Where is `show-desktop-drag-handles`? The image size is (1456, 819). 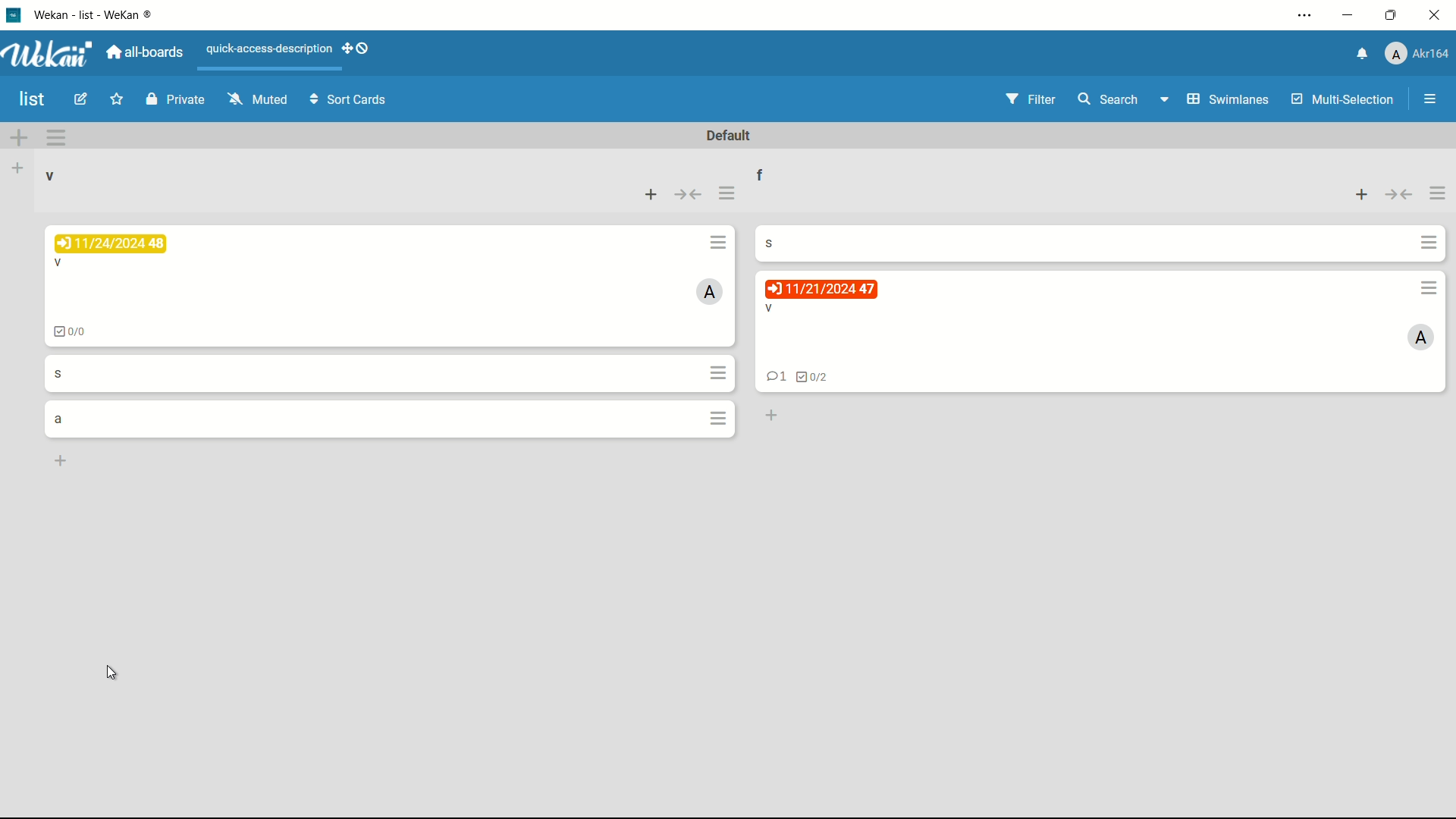
show-desktop-drag-handles is located at coordinates (356, 49).